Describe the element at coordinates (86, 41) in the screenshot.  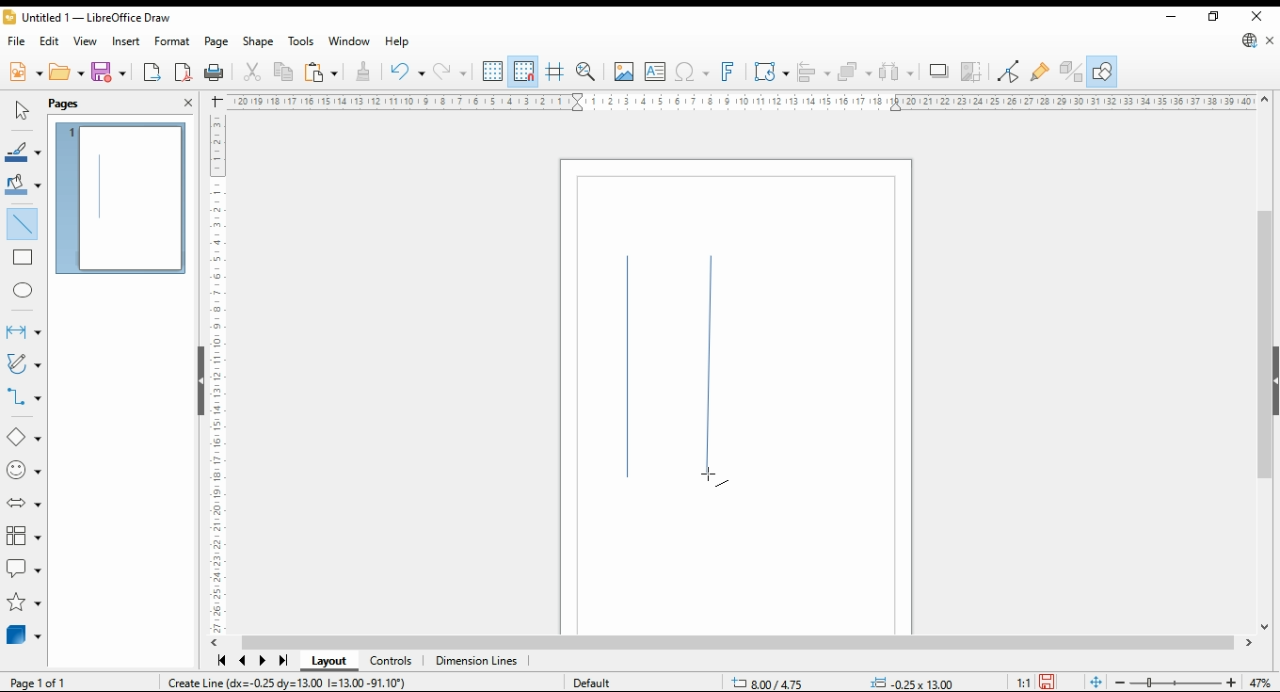
I see `view` at that location.